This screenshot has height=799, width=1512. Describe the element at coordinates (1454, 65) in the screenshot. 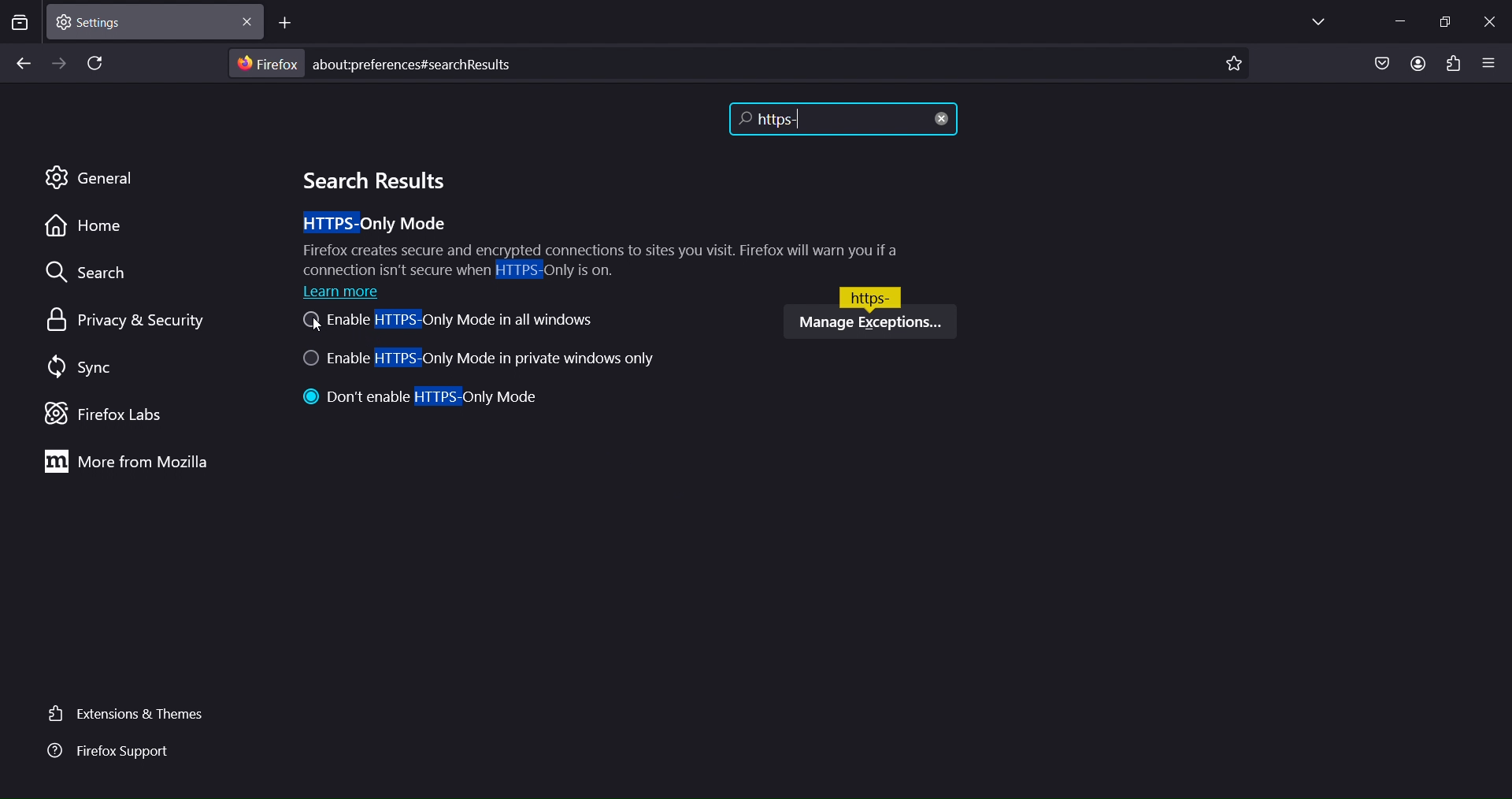

I see `extensions` at that location.